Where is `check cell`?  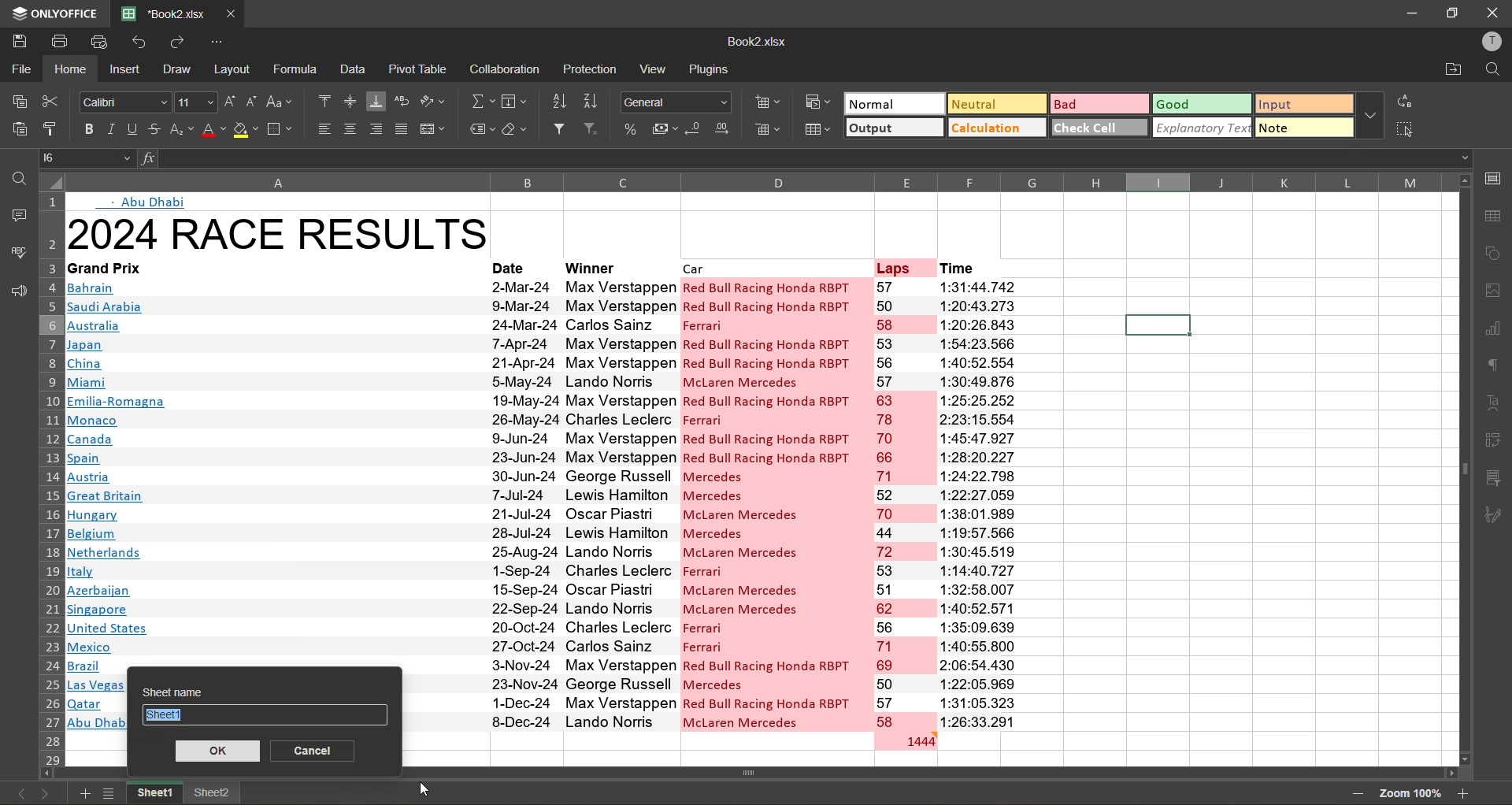 check cell is located at coordinates (1095, 127).